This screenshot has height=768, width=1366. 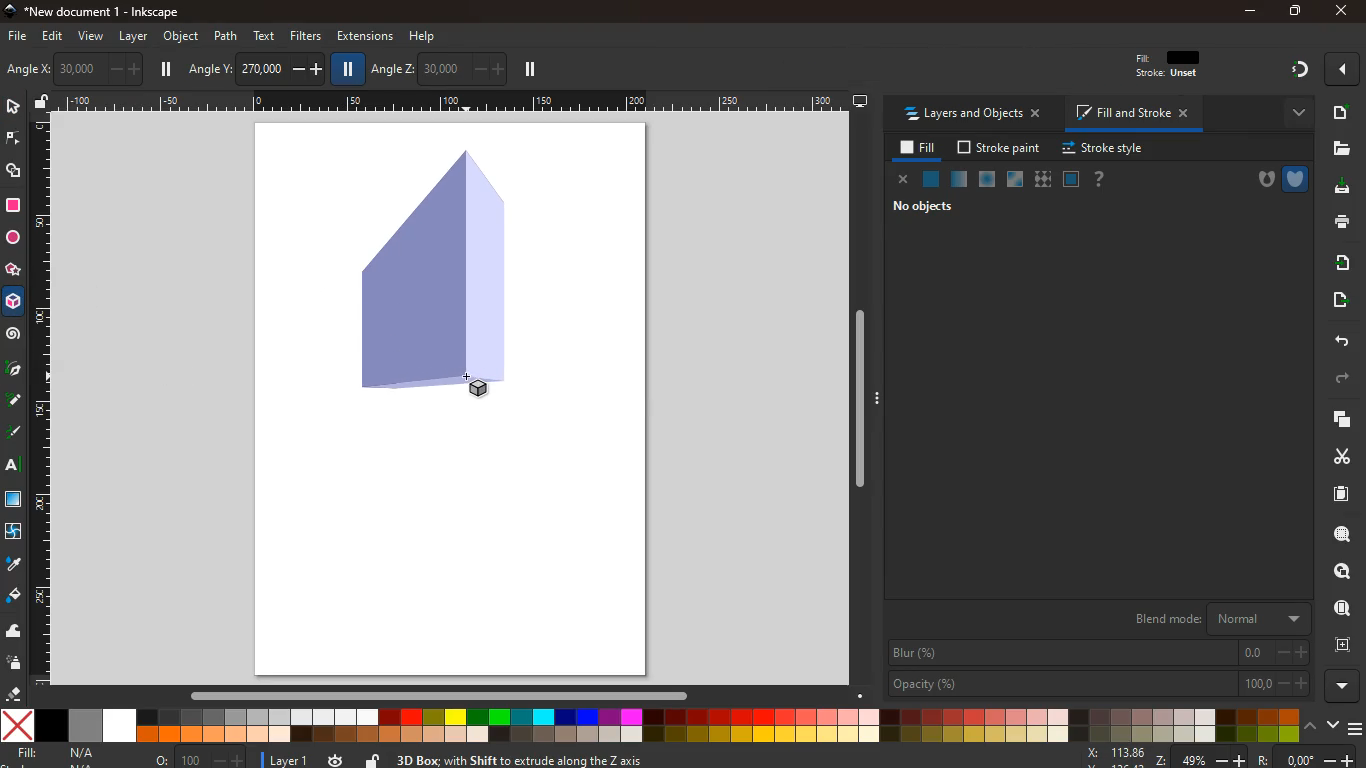 What do you see at coordinates (13, 370) in the screenshot?
I see `pic` at bounding box center [13, 370].